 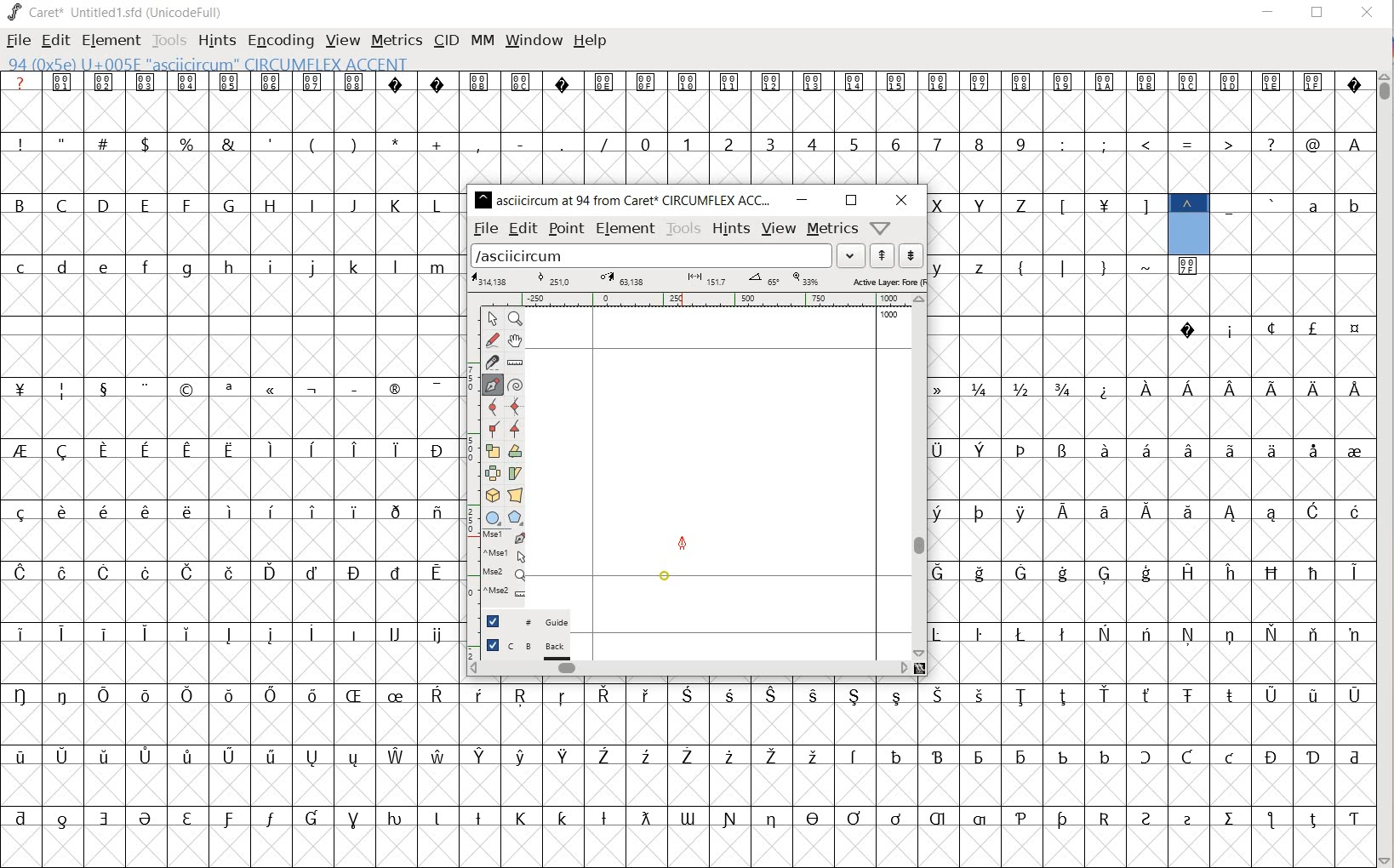 I want to click on 94 0xSe U+00SE "asciicircum CIRCUMFLEX ACCENT, so click(x=269, y=65).